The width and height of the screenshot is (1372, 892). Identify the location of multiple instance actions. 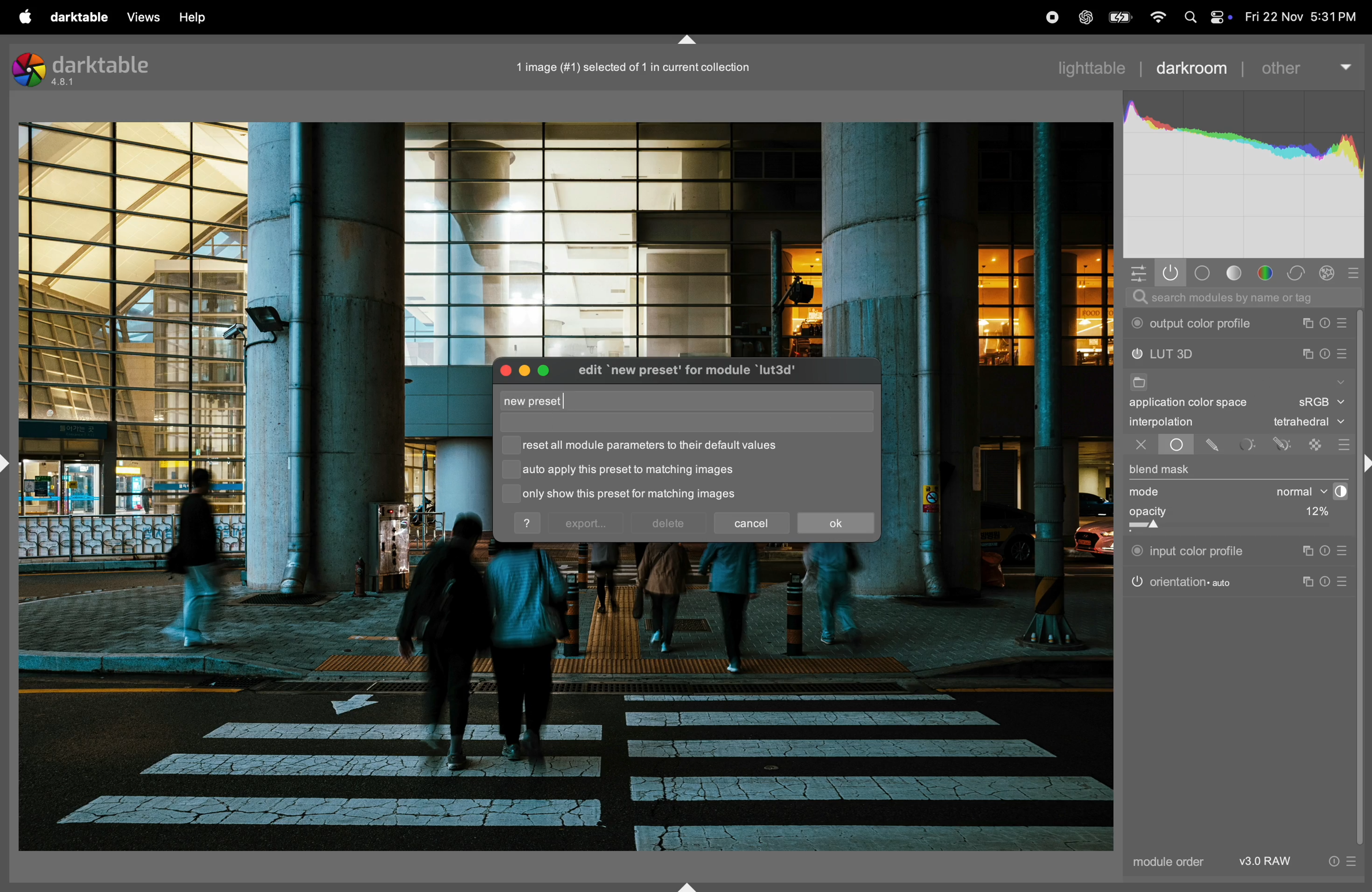
(1307, 354).